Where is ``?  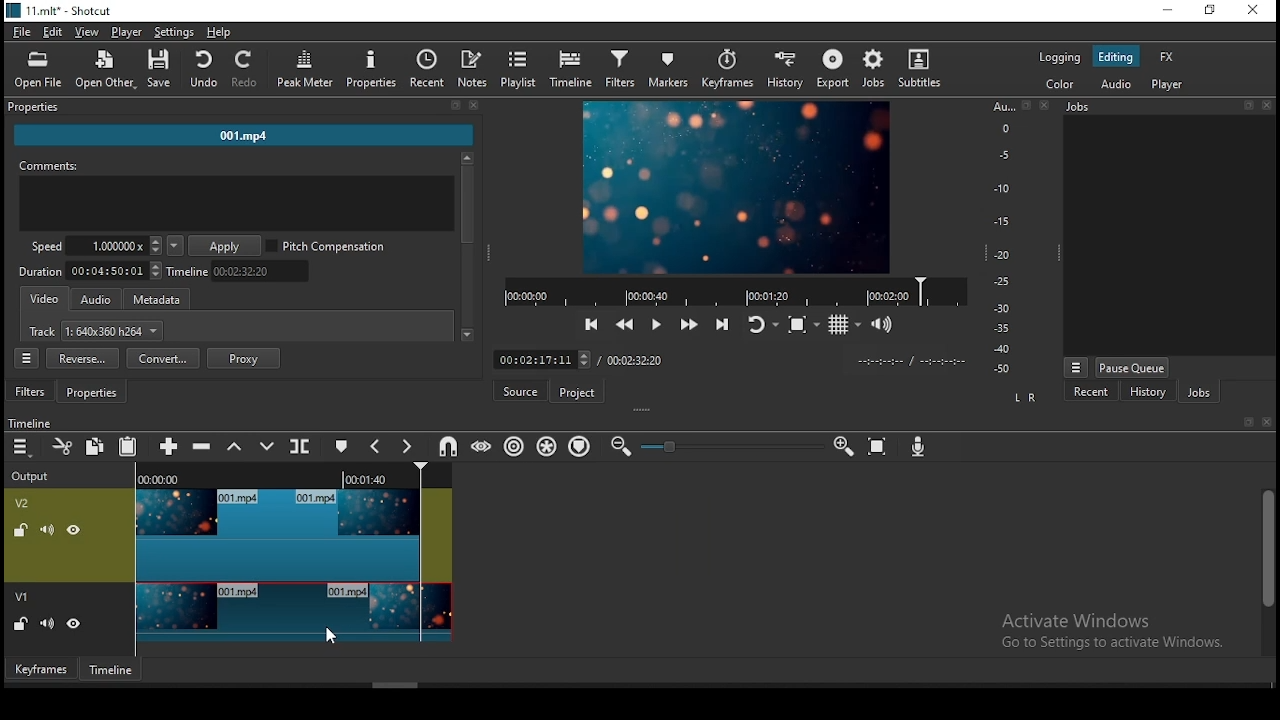
 is located at coordinates (30, 421).